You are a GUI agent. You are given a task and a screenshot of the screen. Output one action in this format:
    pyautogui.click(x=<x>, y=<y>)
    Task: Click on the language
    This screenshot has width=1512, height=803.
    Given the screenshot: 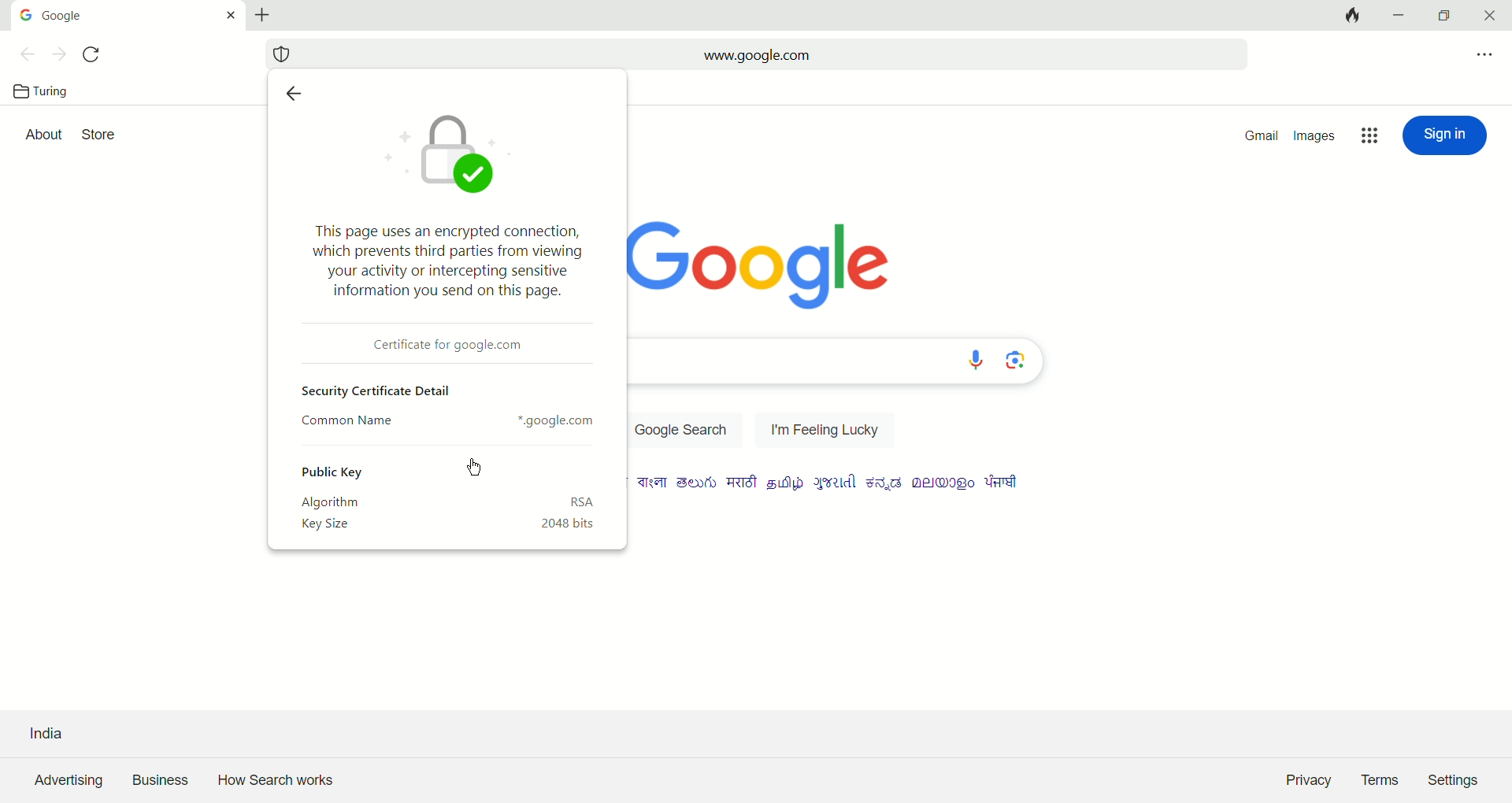 What is the action you would take?
    pyautogui.click(x=746, y=483)
    